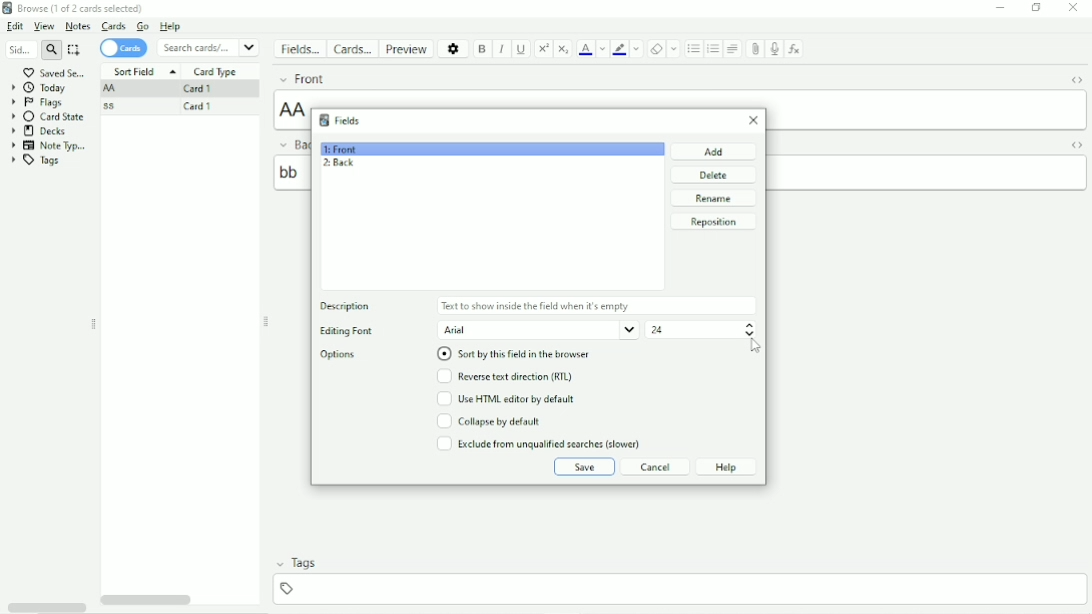 The width and height of the screenshot is (1092, 614). What do you see at coordinates (734, 49) in the screenshot?
I see `Alignment` at bounding box center [734, 49].